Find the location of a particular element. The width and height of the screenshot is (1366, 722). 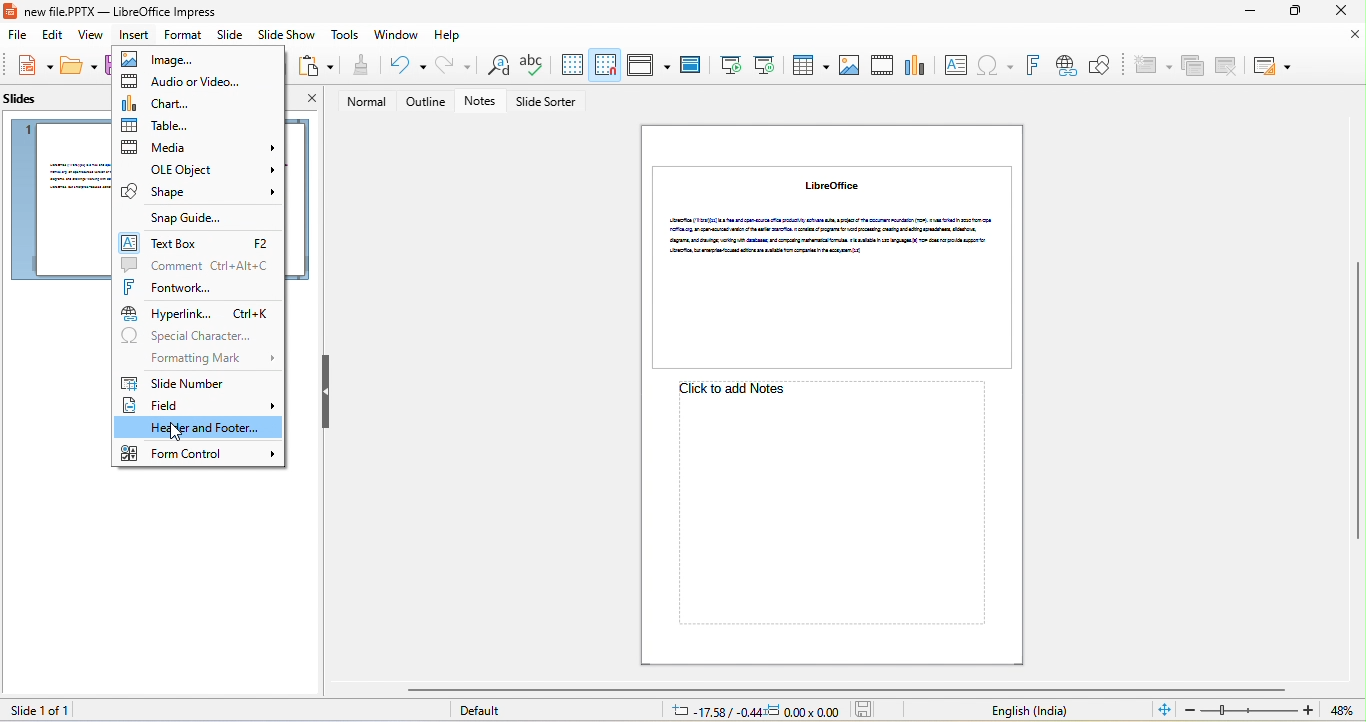

delete slide is located at coordinates (1227, 65).